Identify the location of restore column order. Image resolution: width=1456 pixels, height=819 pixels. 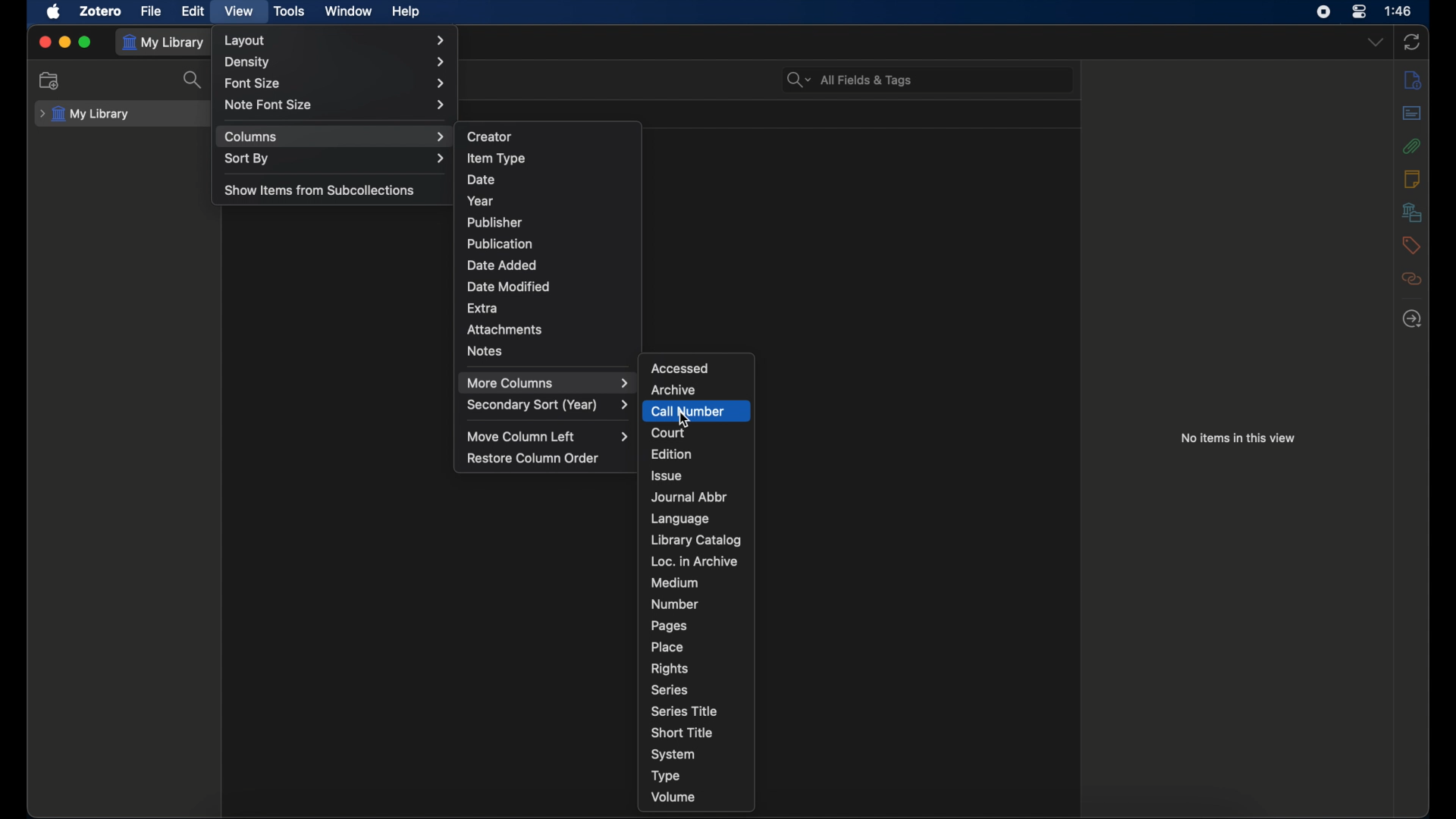
(533, 459).